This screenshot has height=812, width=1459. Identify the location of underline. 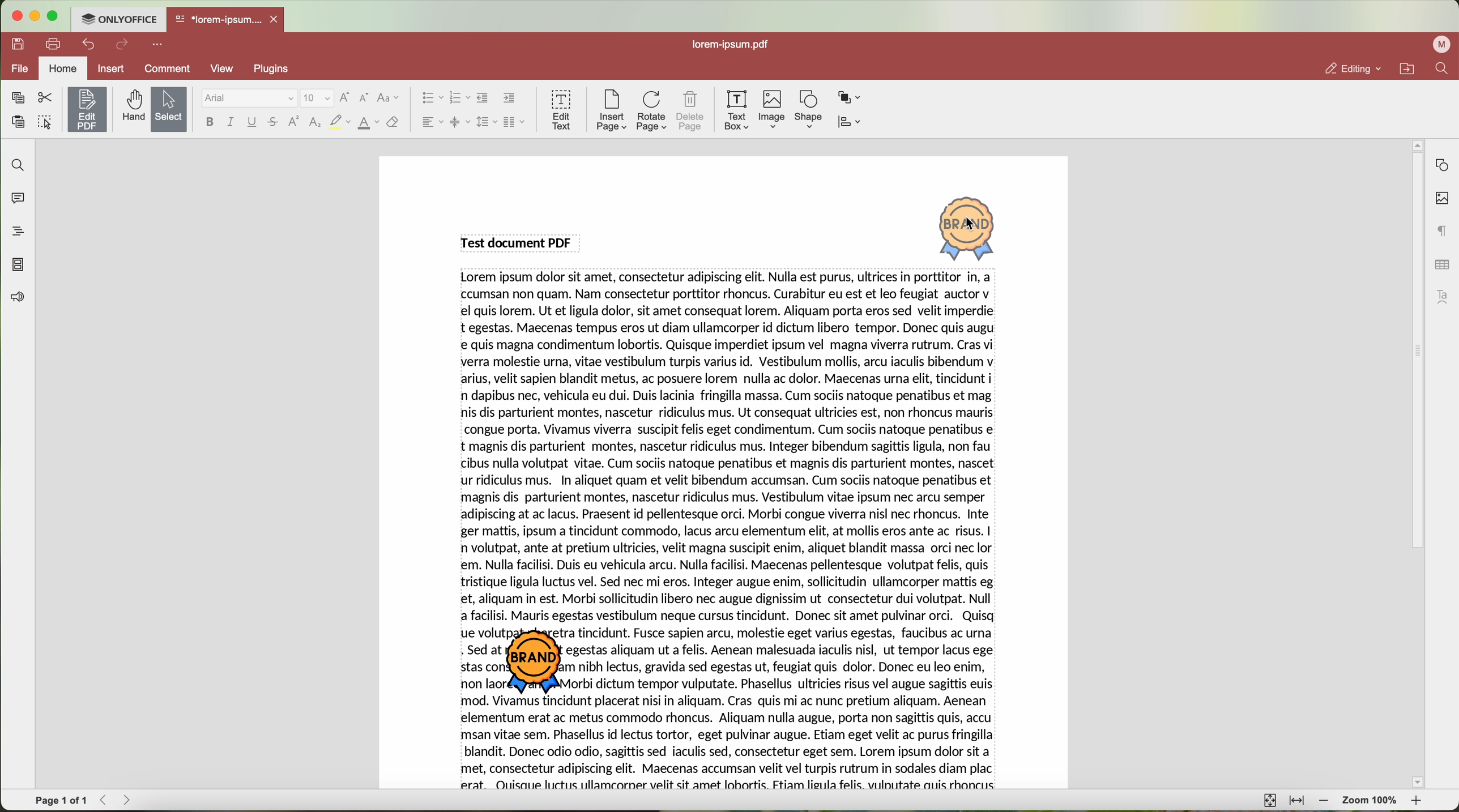
(253, 124).